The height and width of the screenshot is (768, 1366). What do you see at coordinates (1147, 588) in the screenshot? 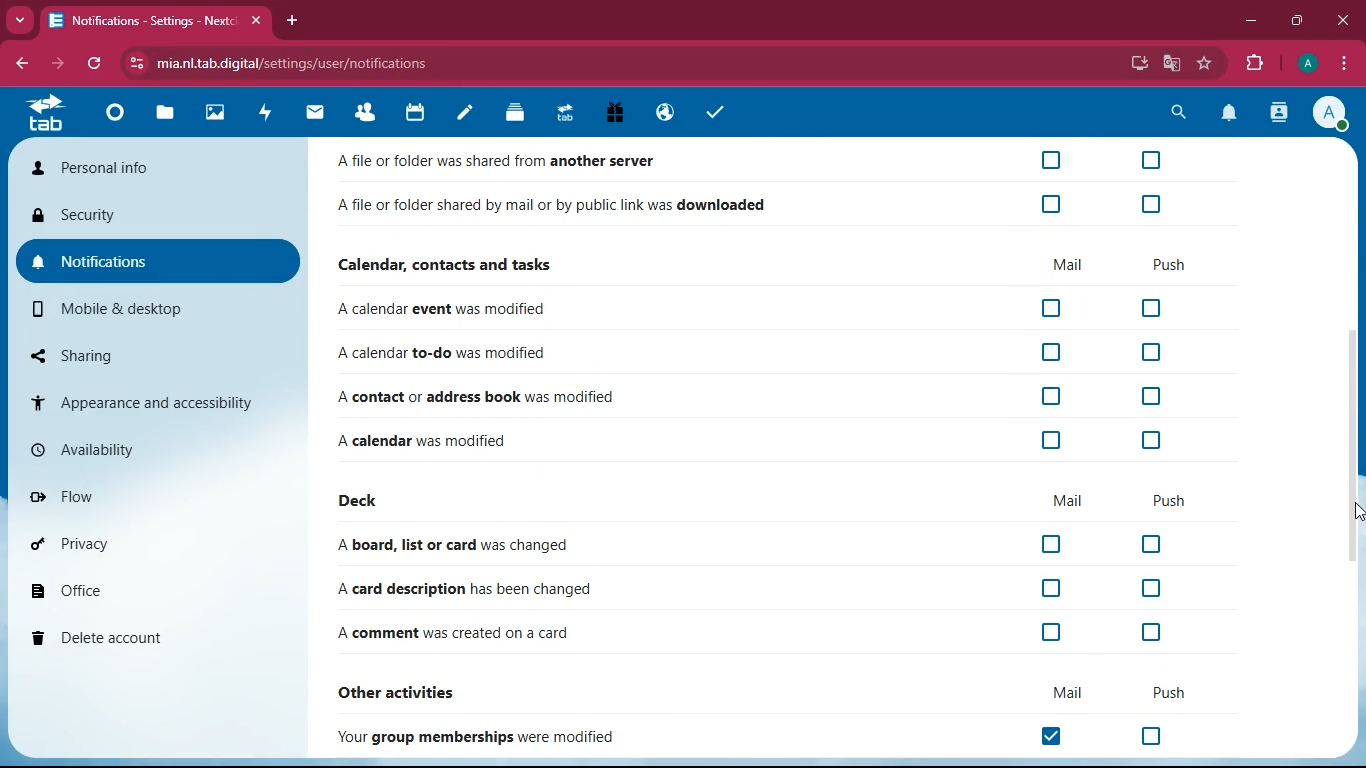
I see `off` at bounding box center [1147, 588].